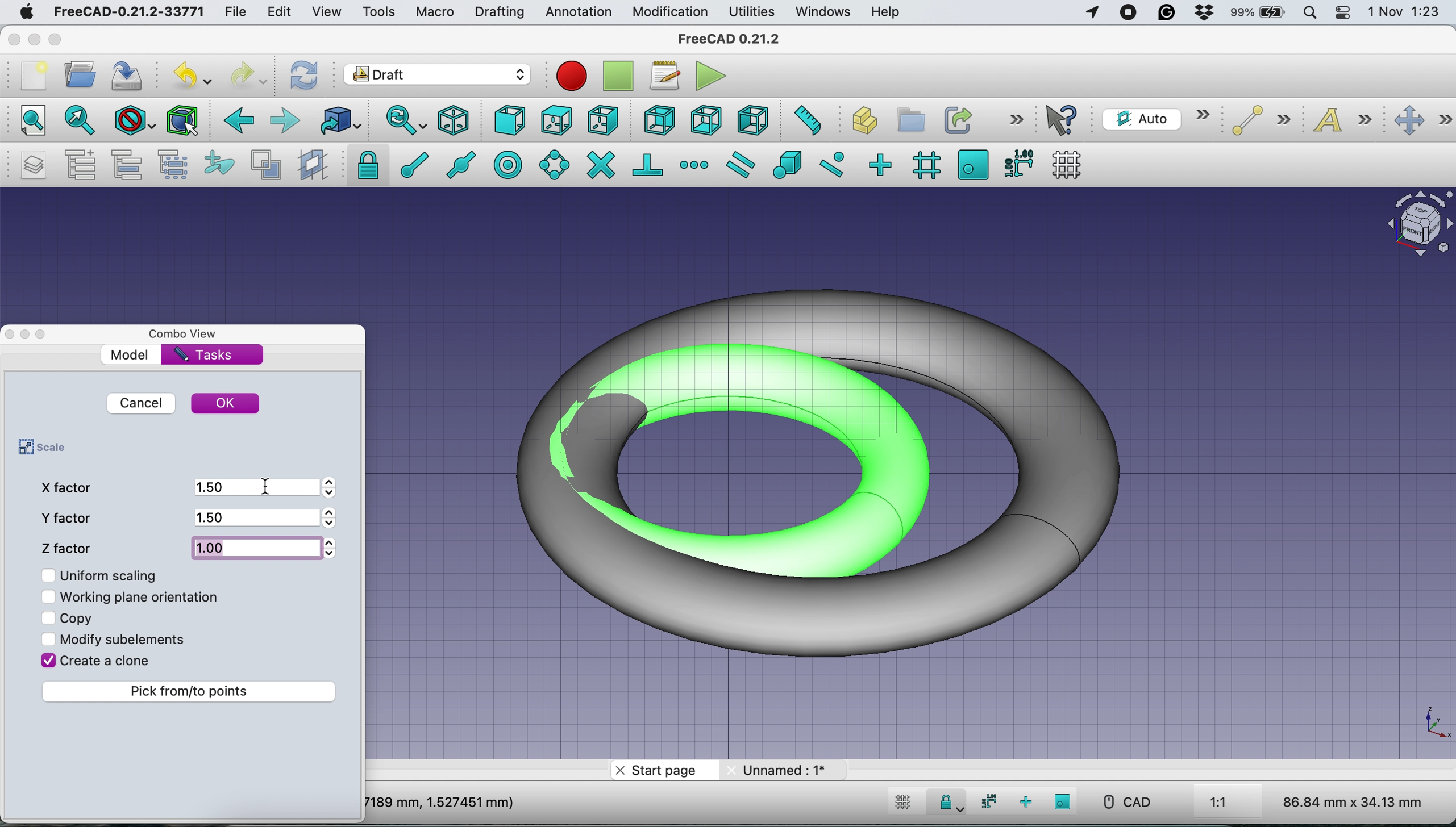  I want to click on snap midpoint, so click(464, 164).